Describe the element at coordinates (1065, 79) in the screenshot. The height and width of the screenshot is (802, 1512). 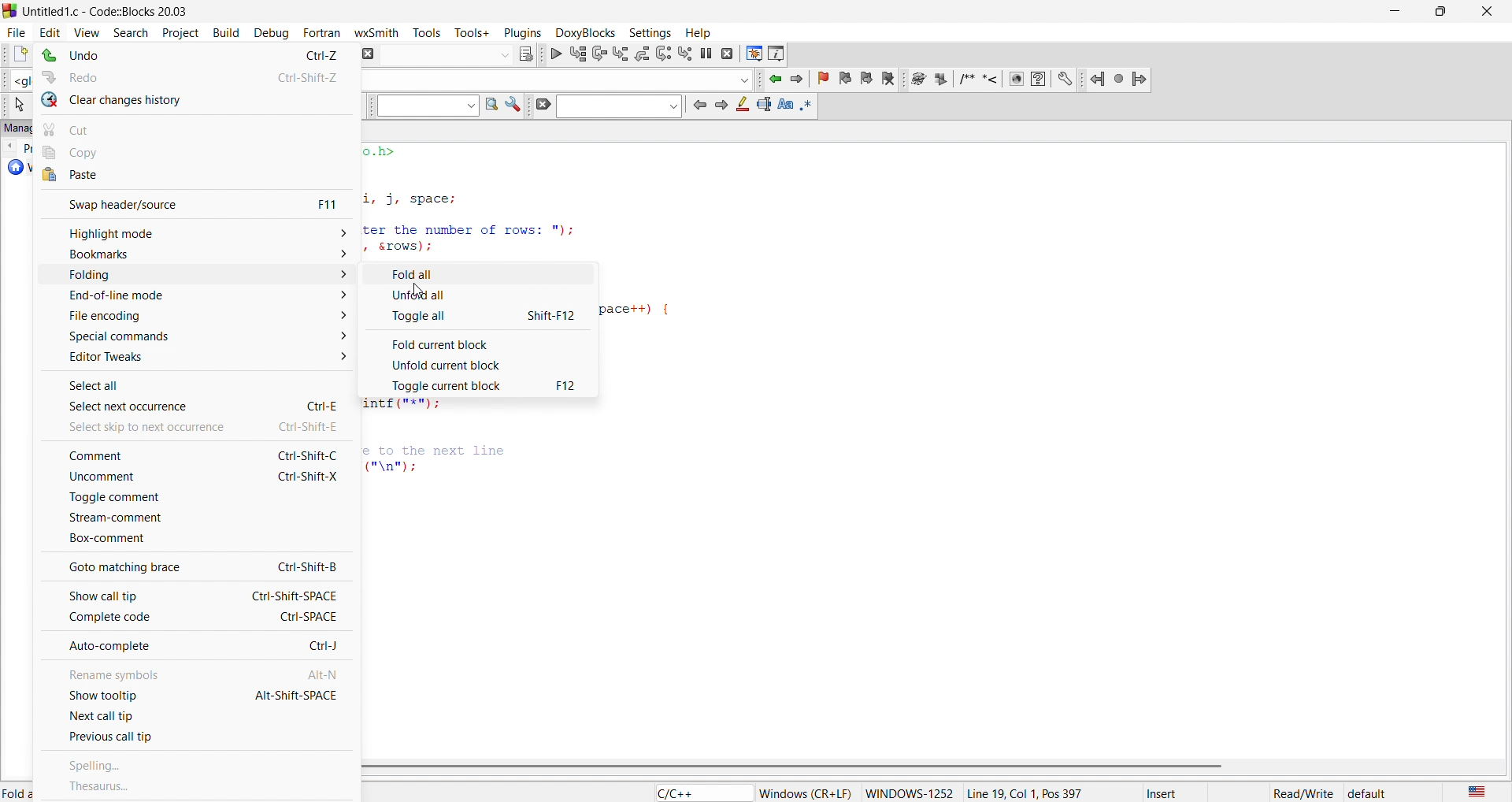
I see `settings` at that location.